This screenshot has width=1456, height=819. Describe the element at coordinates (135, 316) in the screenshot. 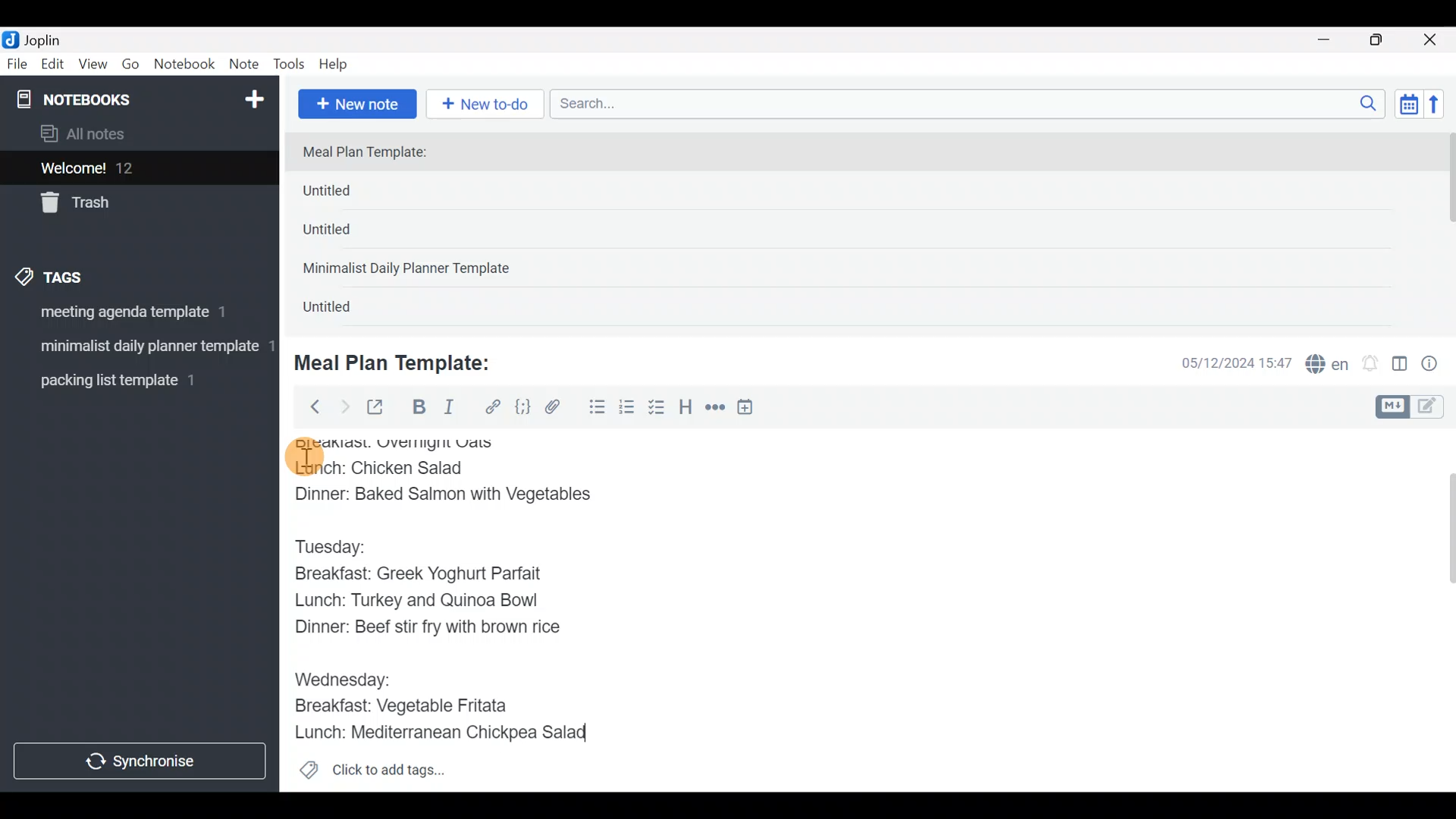

I see `Tag 1` at that location.